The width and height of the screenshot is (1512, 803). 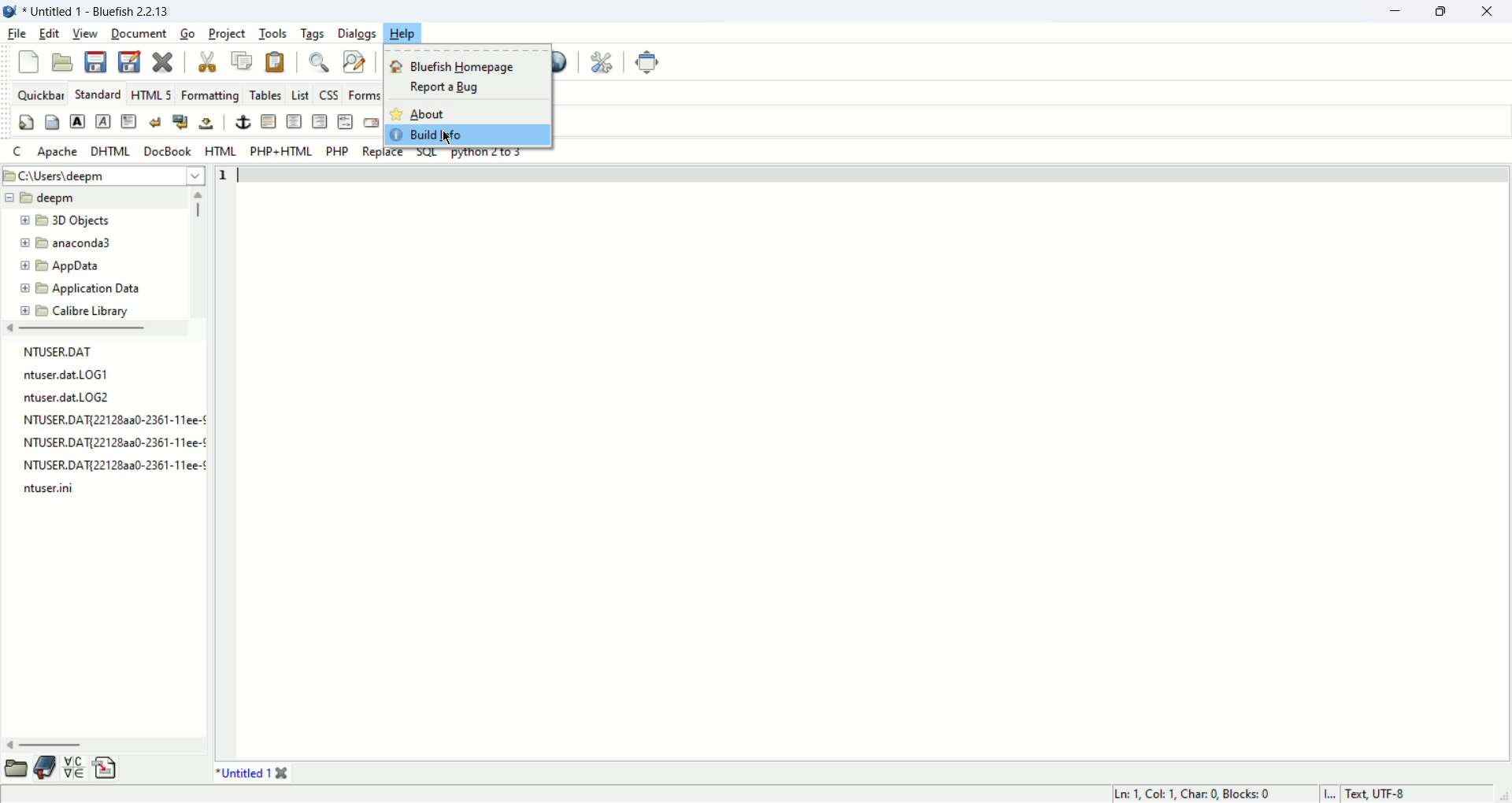 What do you see at coordinates (70, 398) in the screenshot?
I see `file name` at bounding box center [70, 398].